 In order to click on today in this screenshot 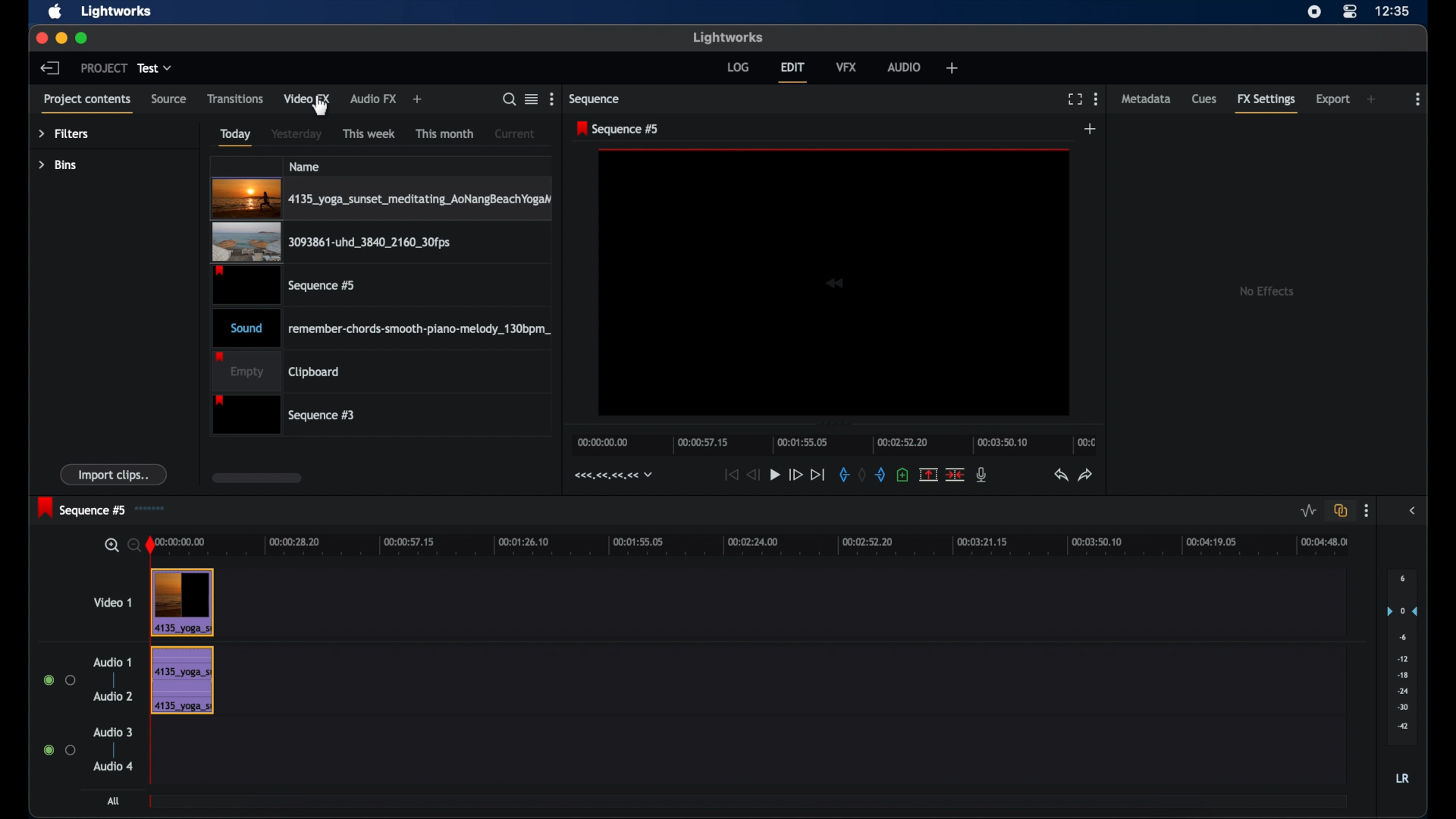, I will do `click(236, 137)`.